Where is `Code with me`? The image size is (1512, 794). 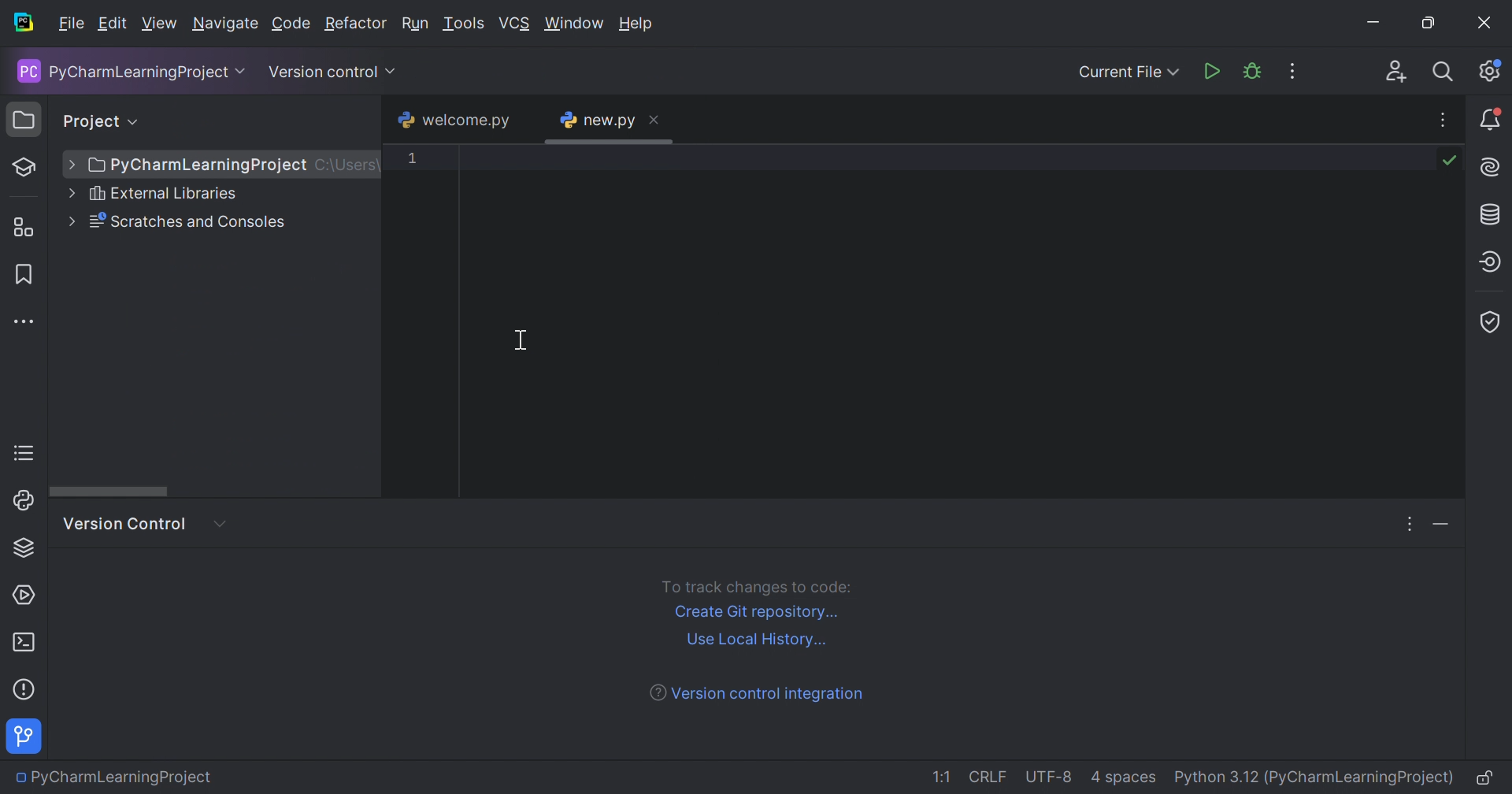 Code with me is located at coordinates (1397, 72).